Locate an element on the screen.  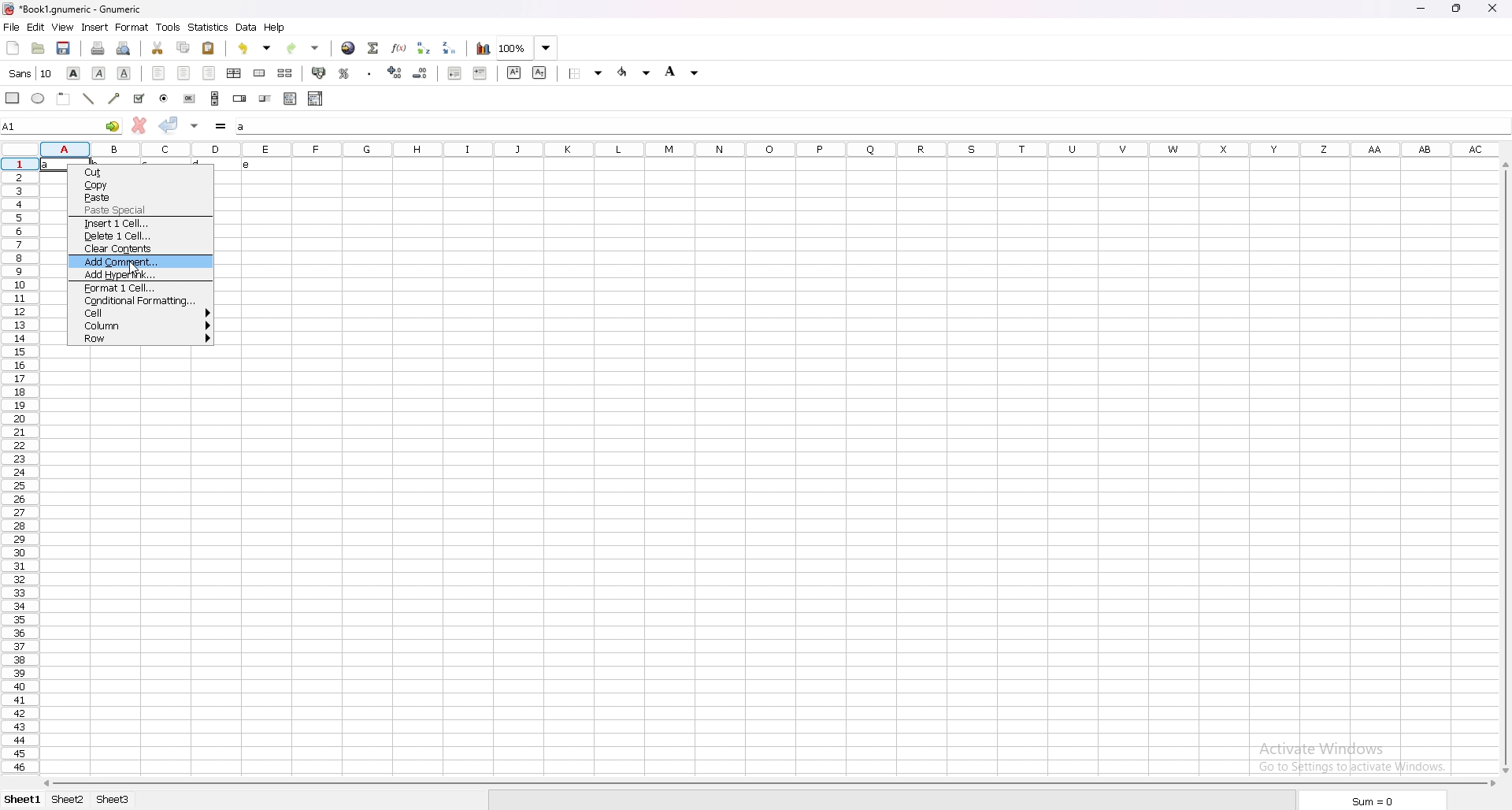
deecrease indent is located at coordinates (454, 73).